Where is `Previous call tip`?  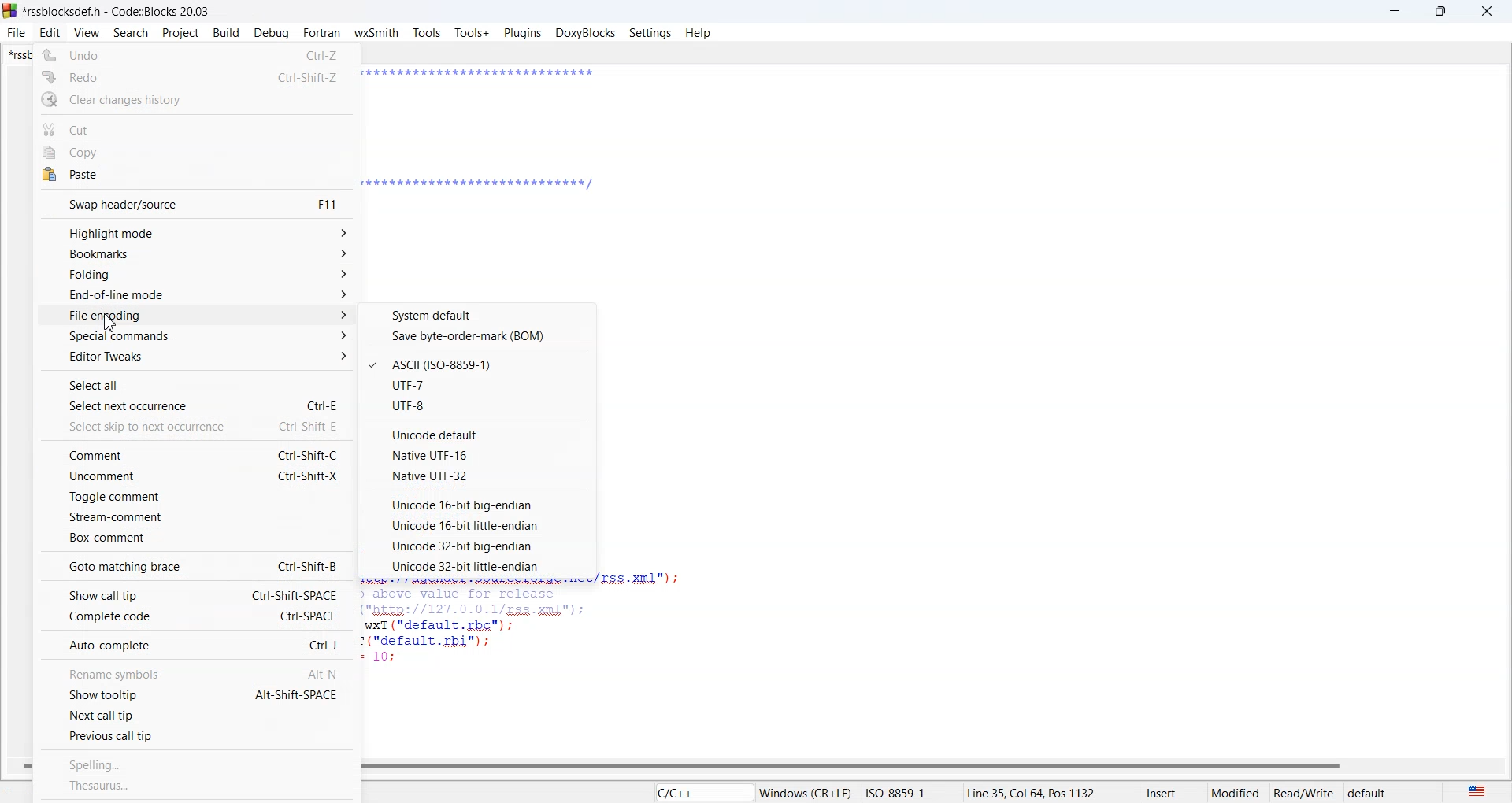
Previous call tip is located at coordinates (196, 735).